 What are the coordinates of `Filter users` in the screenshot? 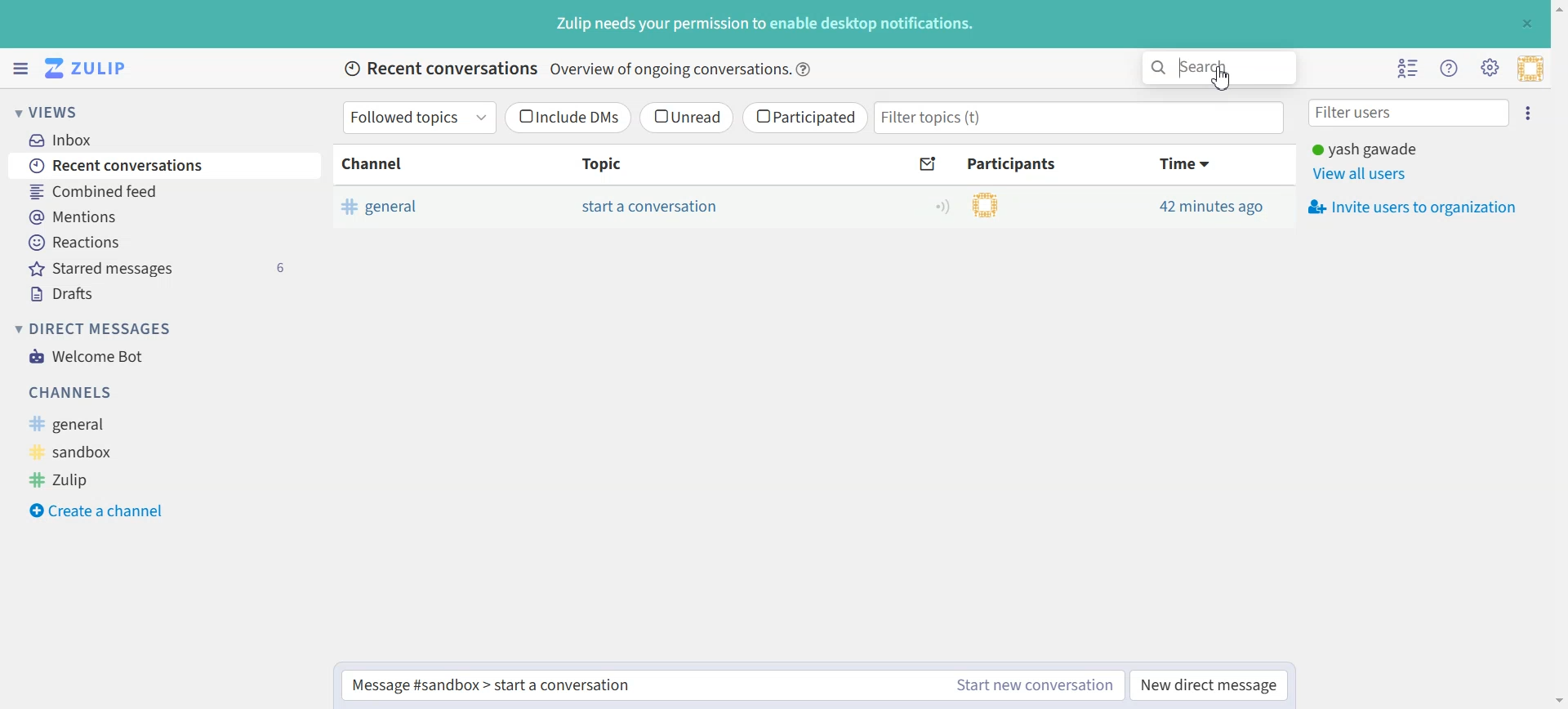 It's located at (1410, 114).